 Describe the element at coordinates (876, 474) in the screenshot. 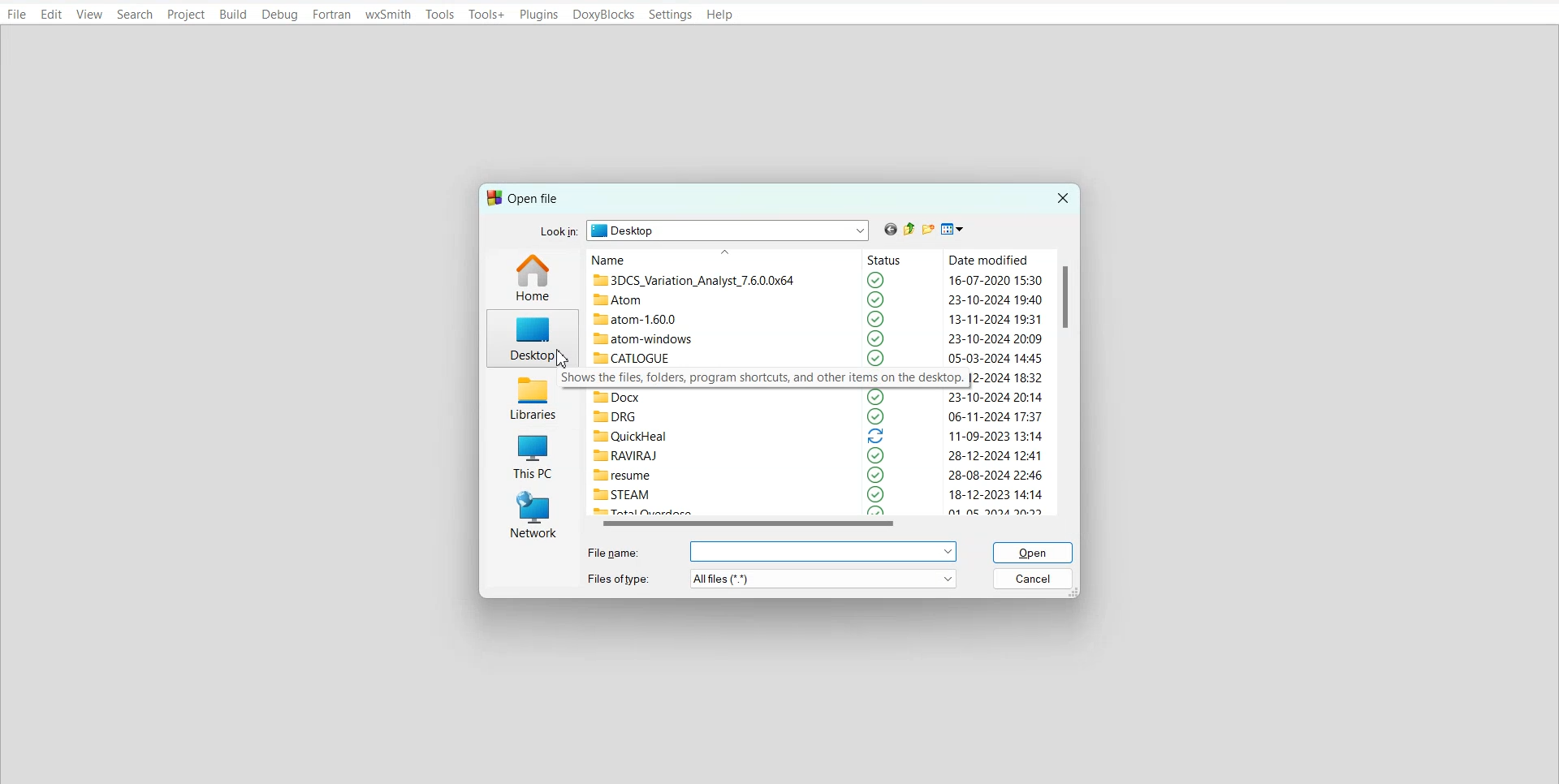

I see `selected logo` at that location.